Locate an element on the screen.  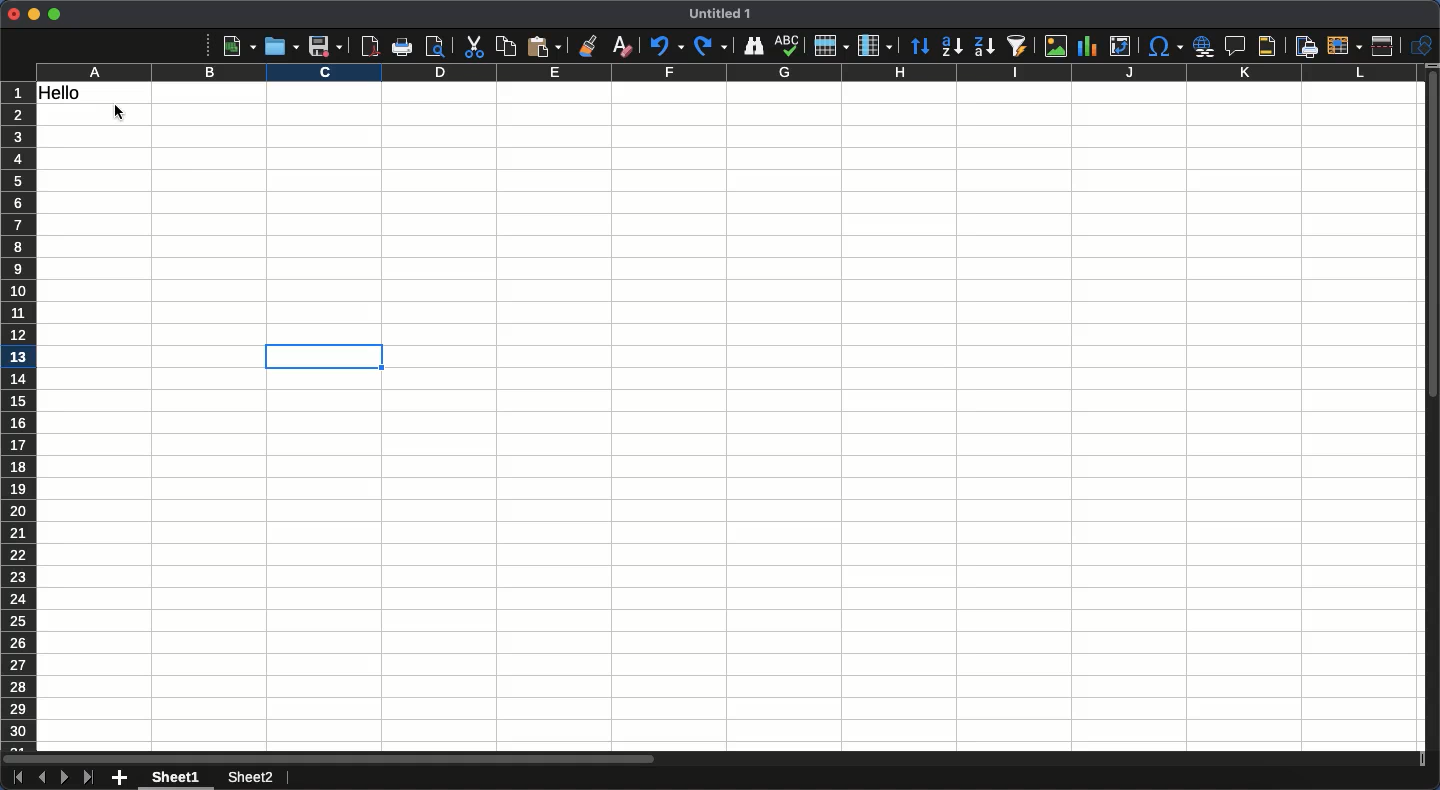
Descending is located at coordinates (983, 47).